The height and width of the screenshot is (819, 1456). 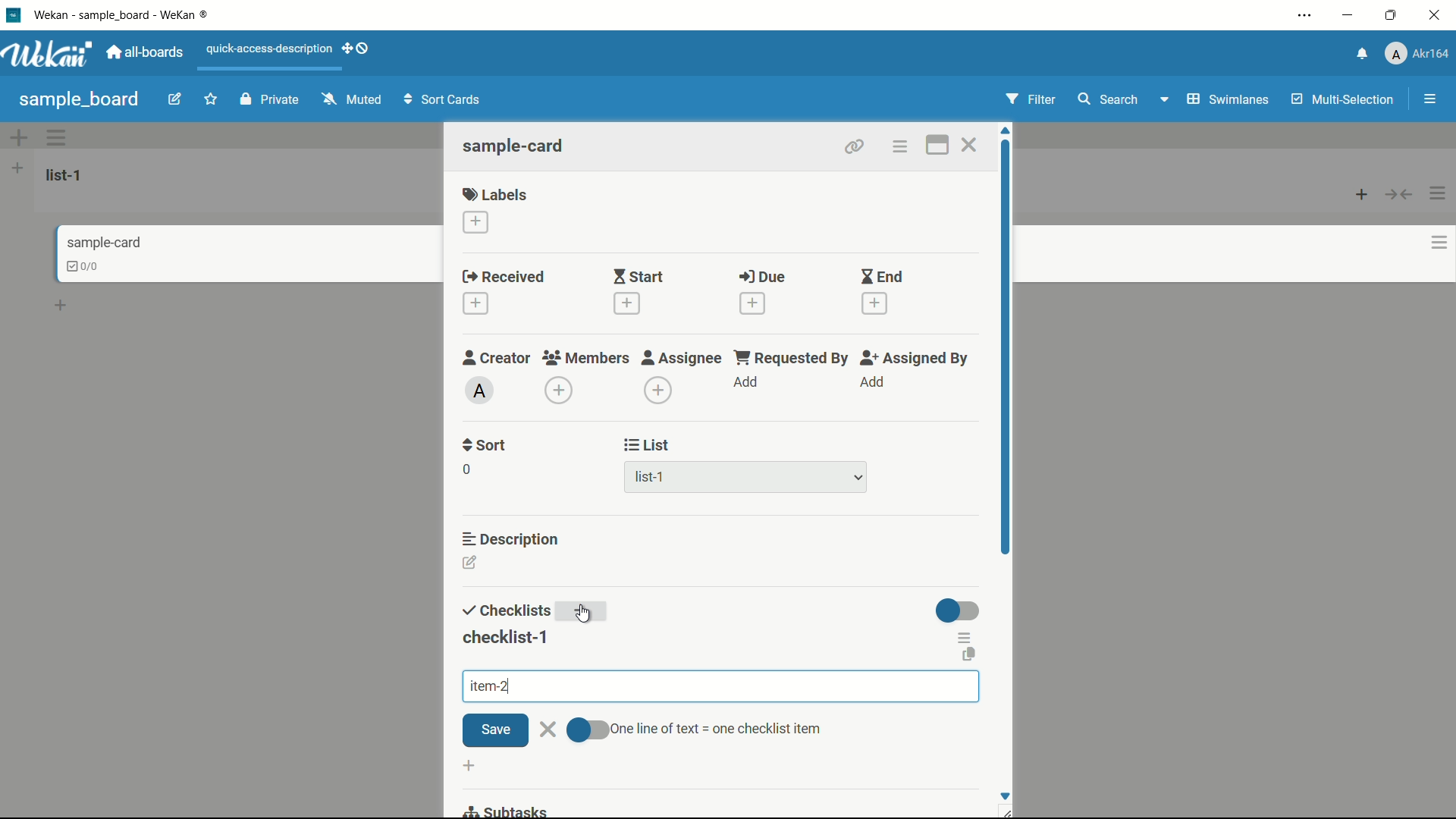 I want to click on close app, so click(x=1438, y=15).